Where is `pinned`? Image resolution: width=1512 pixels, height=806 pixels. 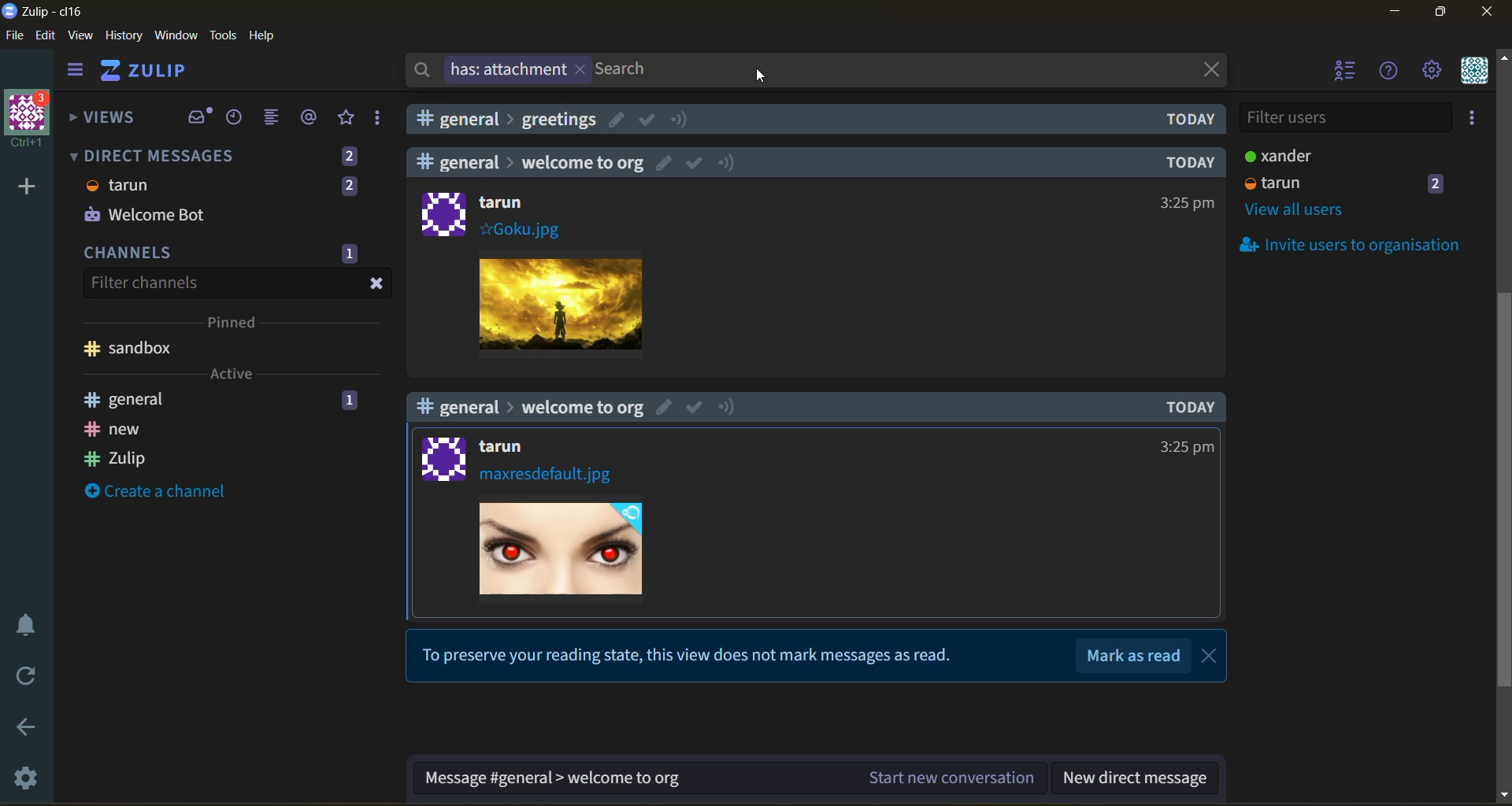
pinned is located at coordinates (235, 324).